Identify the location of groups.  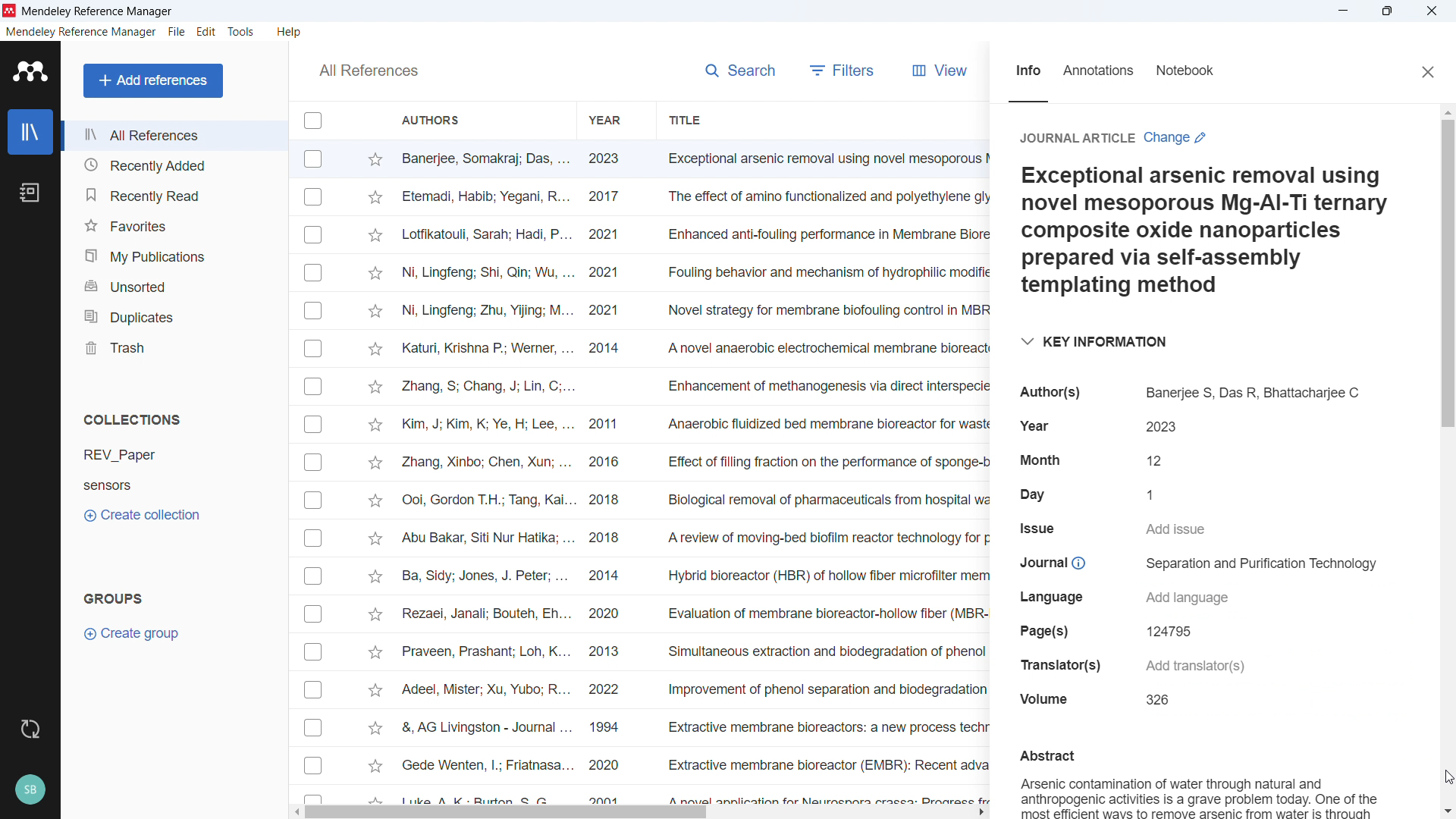
(111, 597).